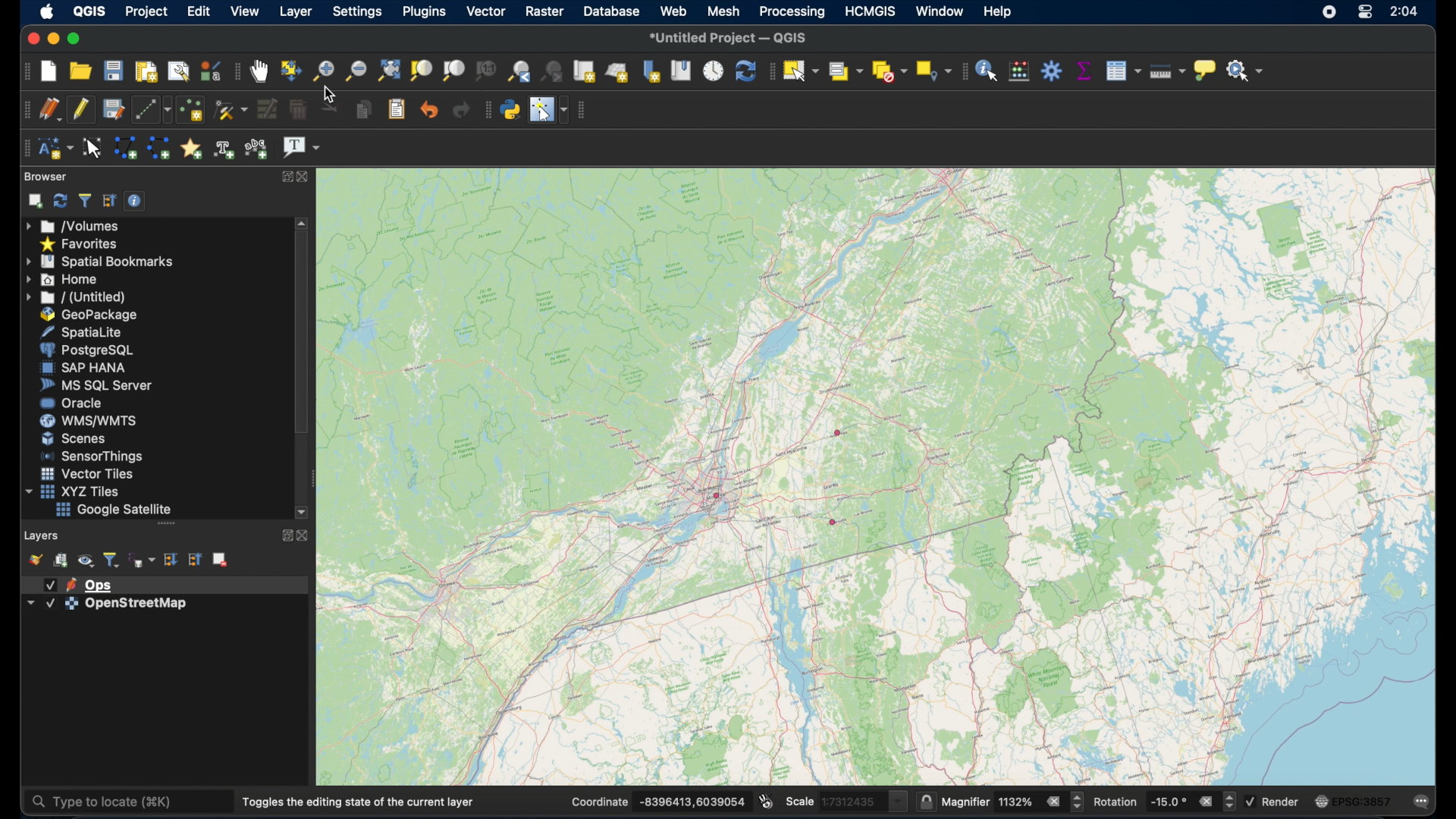  Describe the element at coordinates (74, 438) in the screenshot. I see `scenes` at that location.